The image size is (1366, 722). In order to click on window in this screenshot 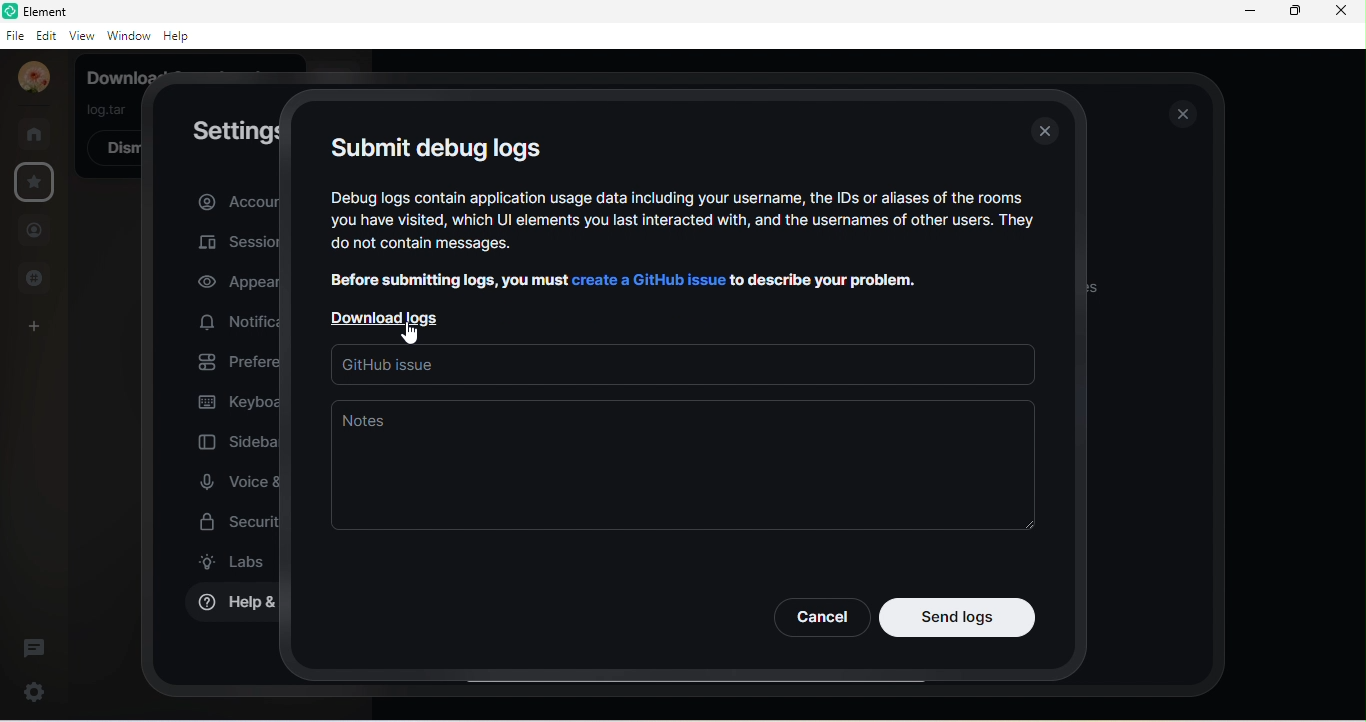, I will do `click(127, 36)`.